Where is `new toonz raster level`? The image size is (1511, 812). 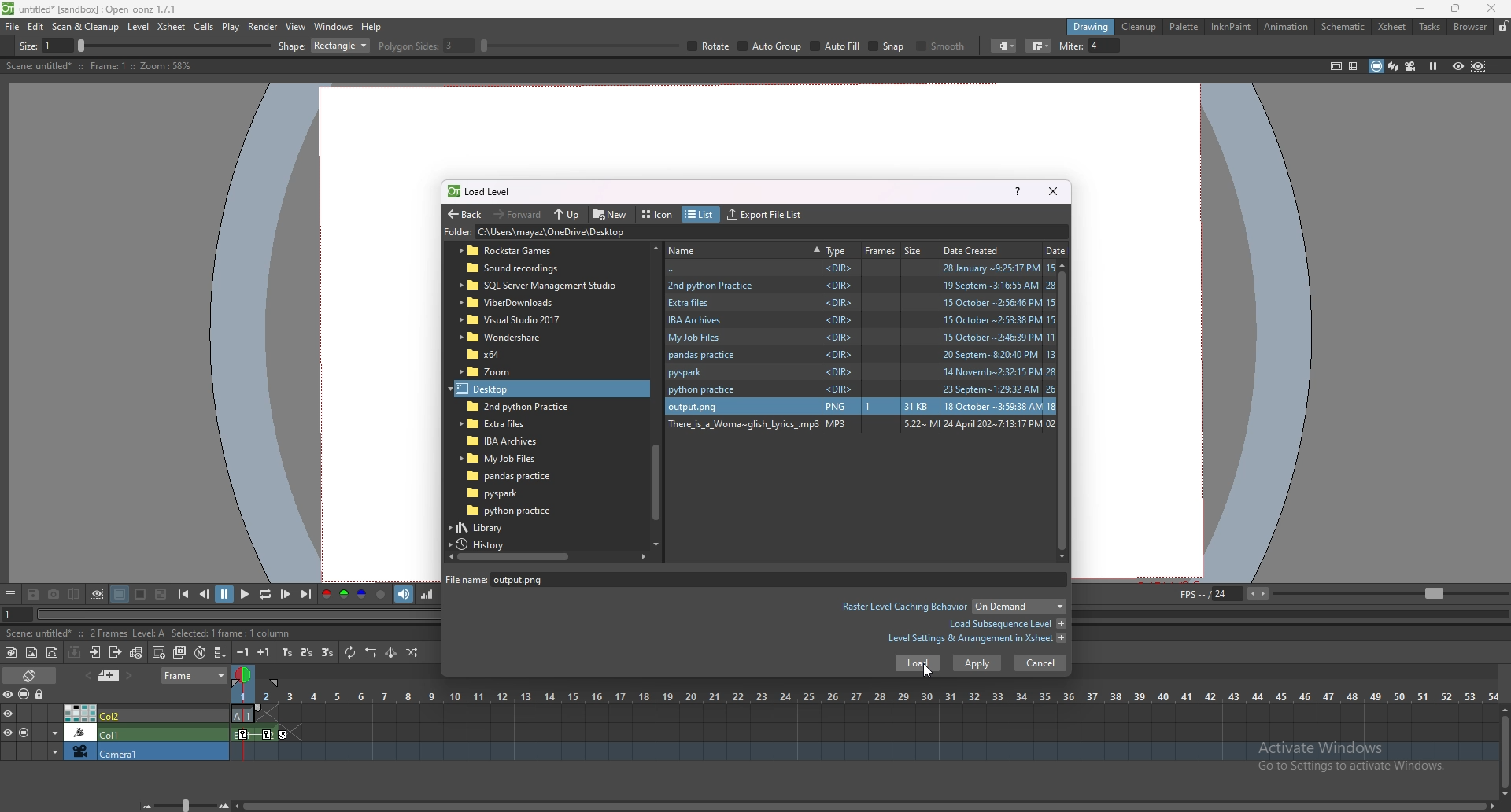 new toonz raster level is located at coordinates (12, 652).